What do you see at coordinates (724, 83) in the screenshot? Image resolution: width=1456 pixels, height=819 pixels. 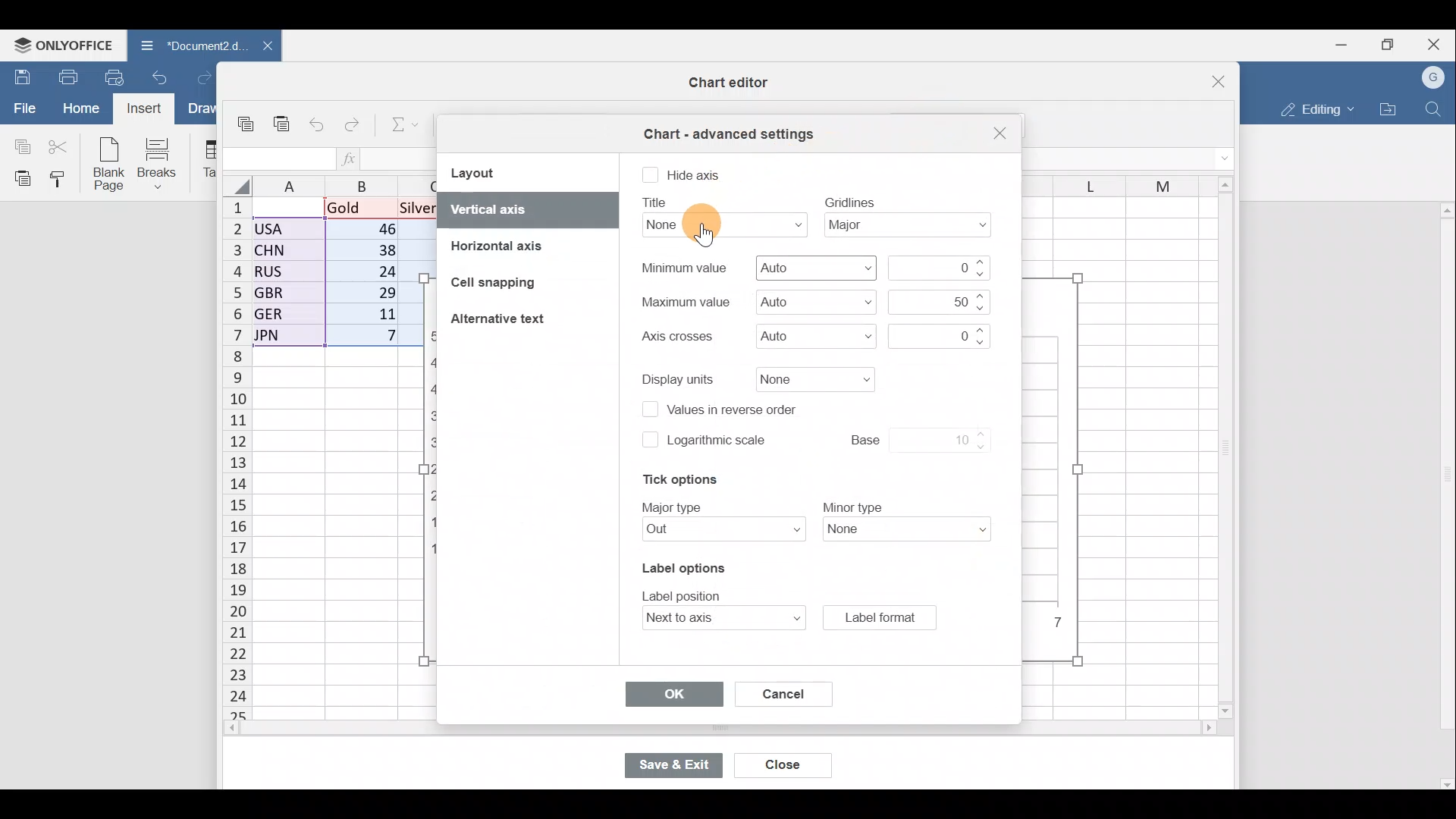 I see `Chart editor` at bounding box center [724, 83].